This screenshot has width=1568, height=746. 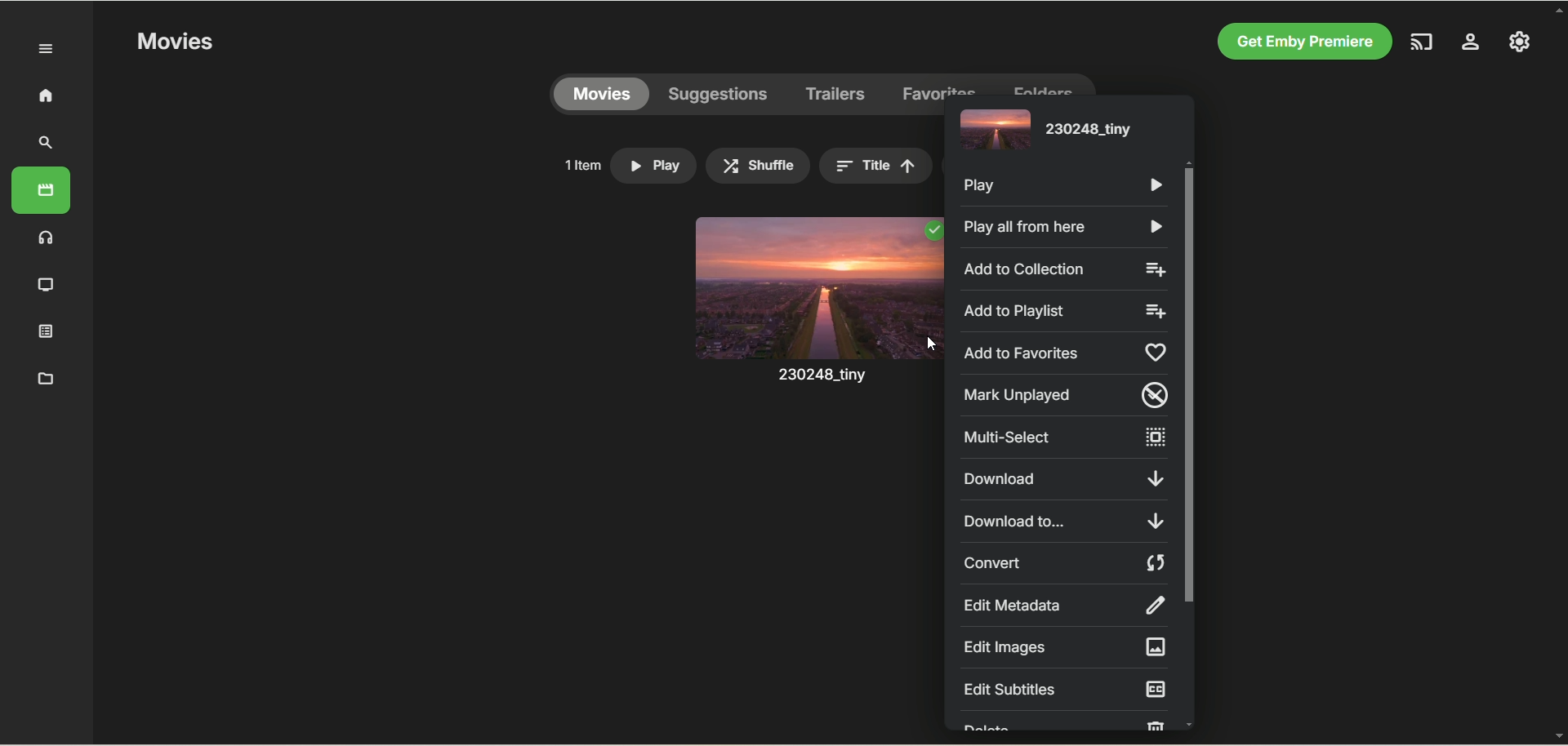 What do you see at coordinates (653, 166) in the screenshot?
I see `play` at bounding box center [653, 166].